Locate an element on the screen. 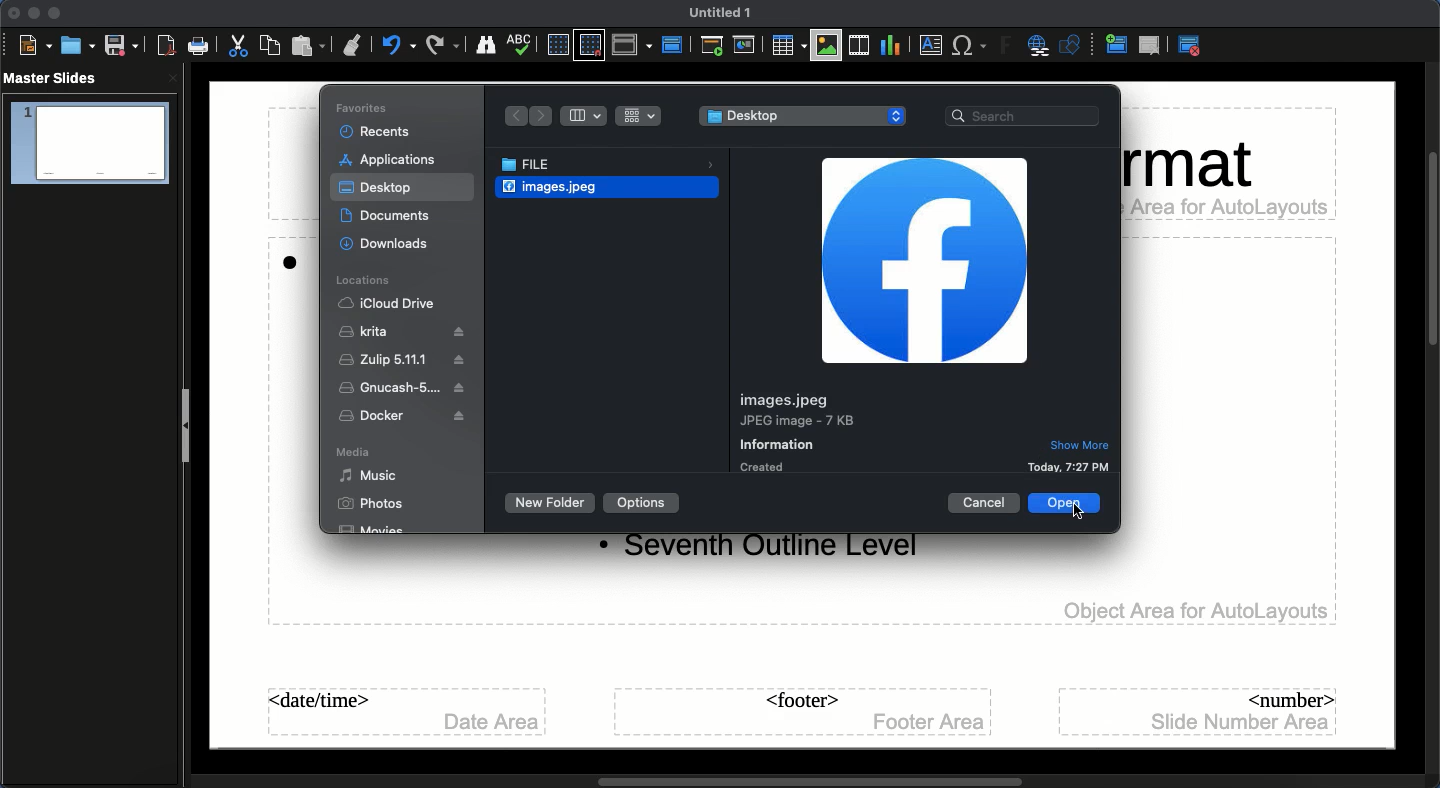 This screenshot has height=788, width=1440. Open is located at coordinates (75, 46).